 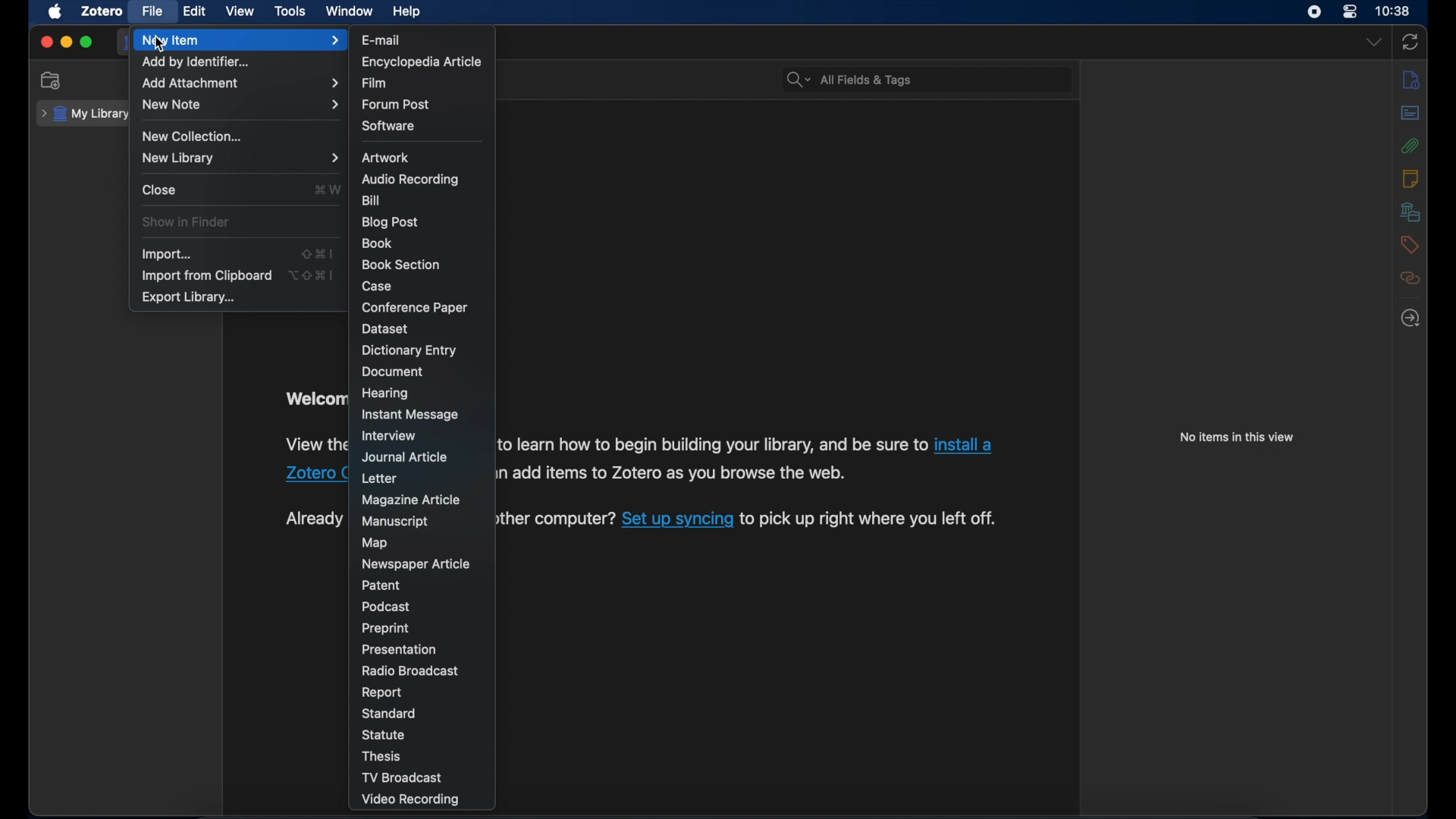 I want to click on shortcut, so click(x=325, y=189).